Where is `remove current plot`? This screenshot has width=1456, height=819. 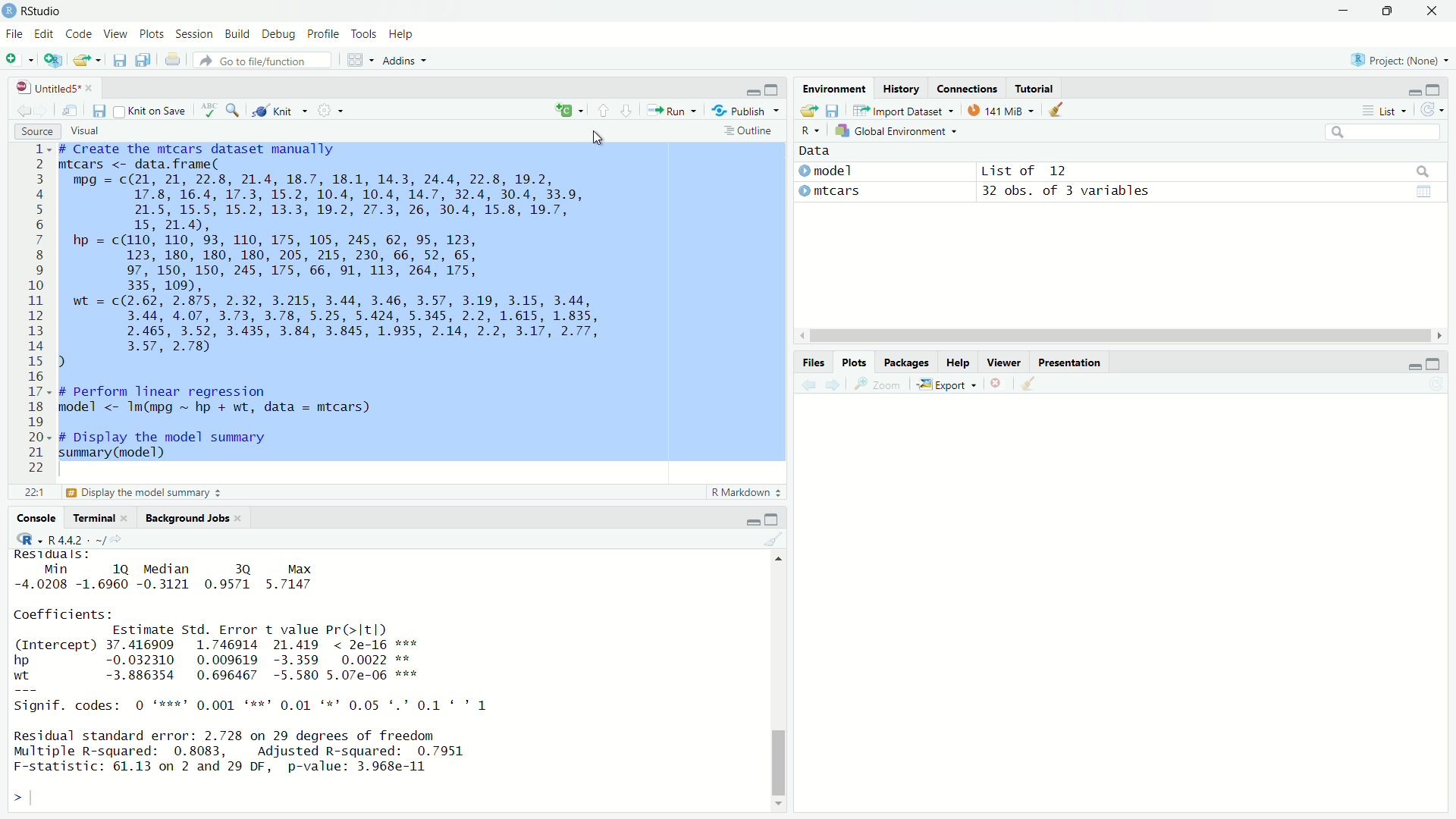
remove current plot is located at coordinates (999, 383).